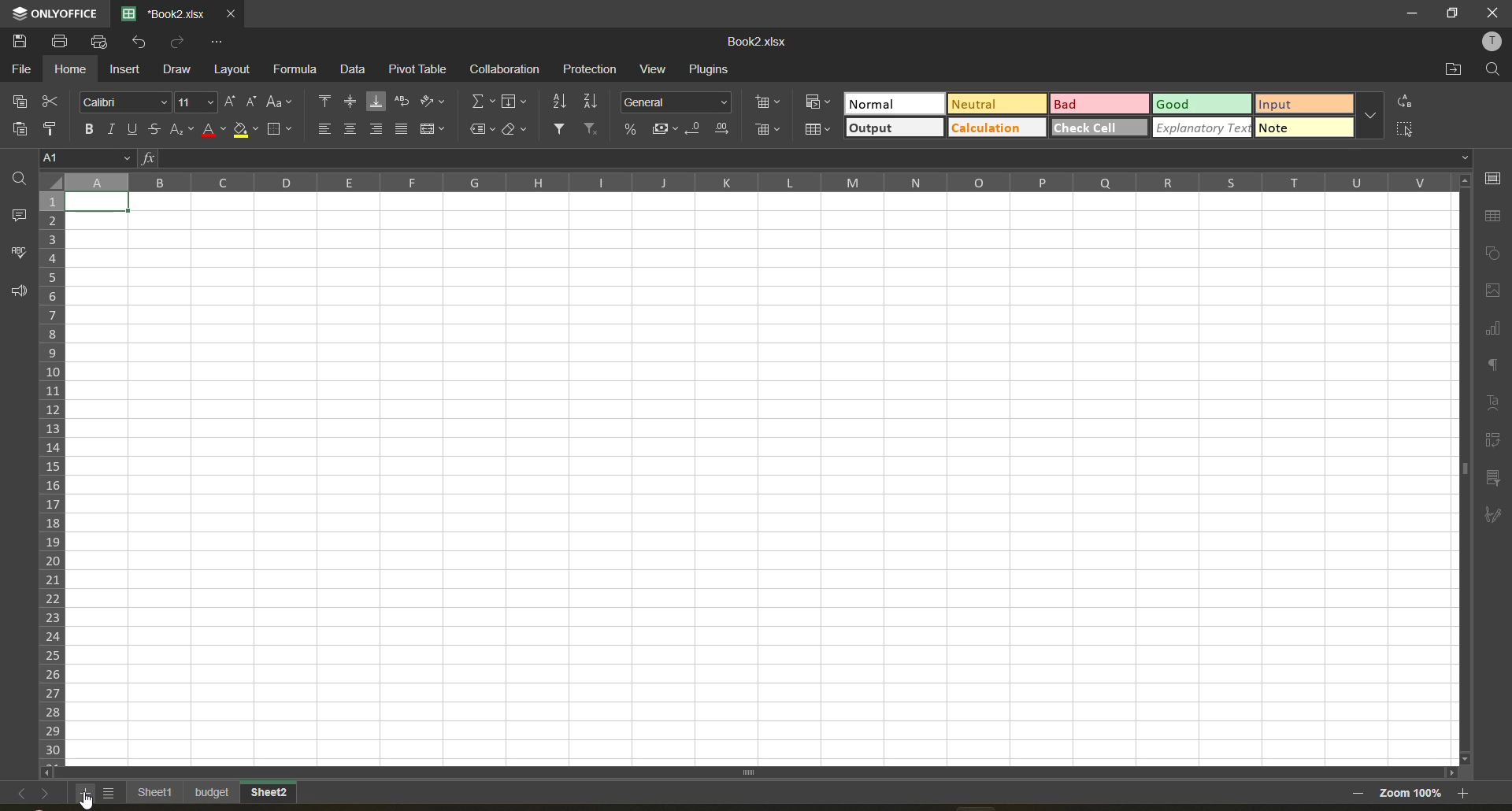 Image resolution: width=1512 pixels, height=811 pixels. Describe the element at coordinates (592, 102) in the screenshot. I see `sort descending` at that location.